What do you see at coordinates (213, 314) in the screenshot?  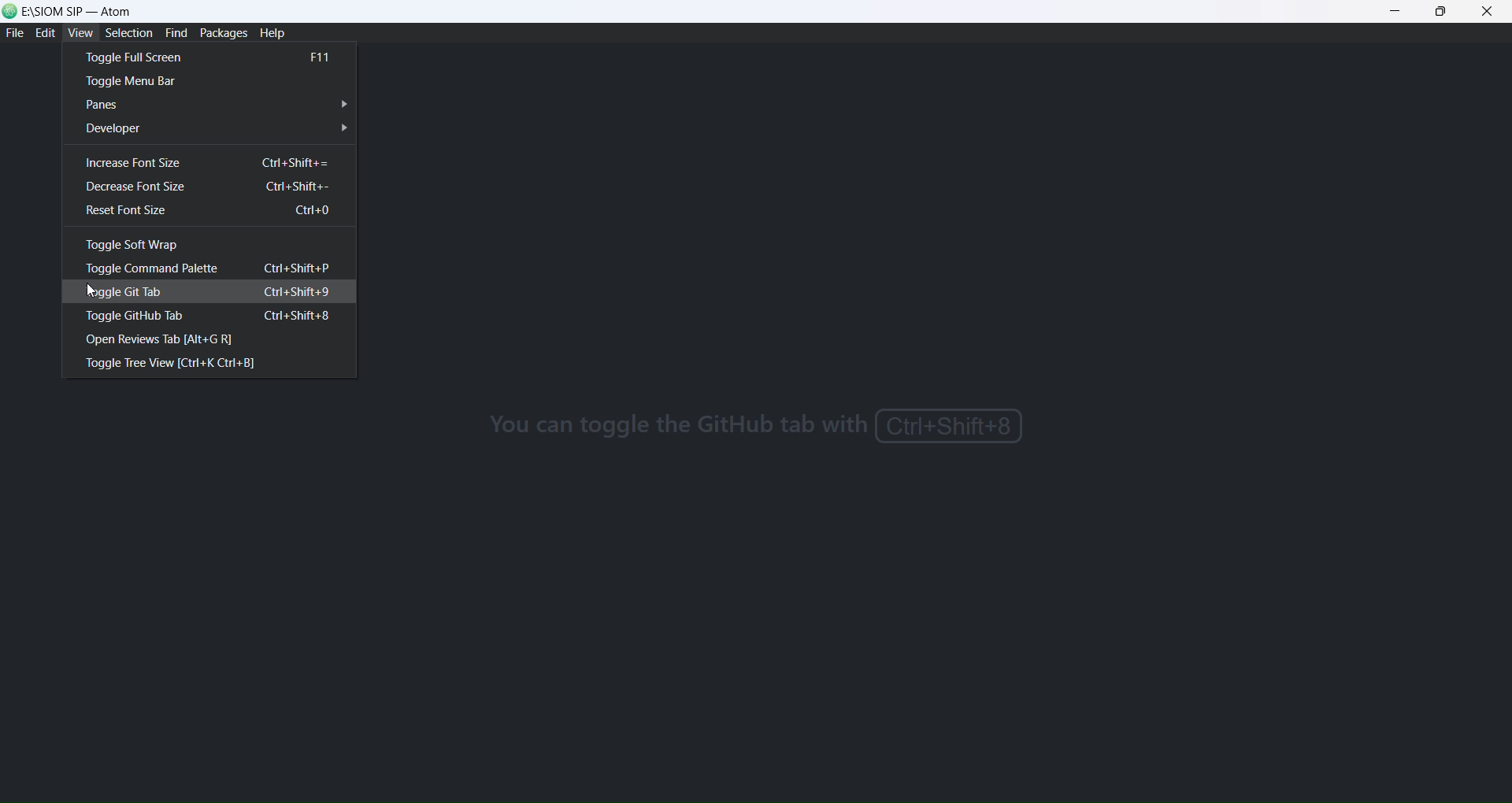 I see `toggle github tab` at bounding box center [213, 314].